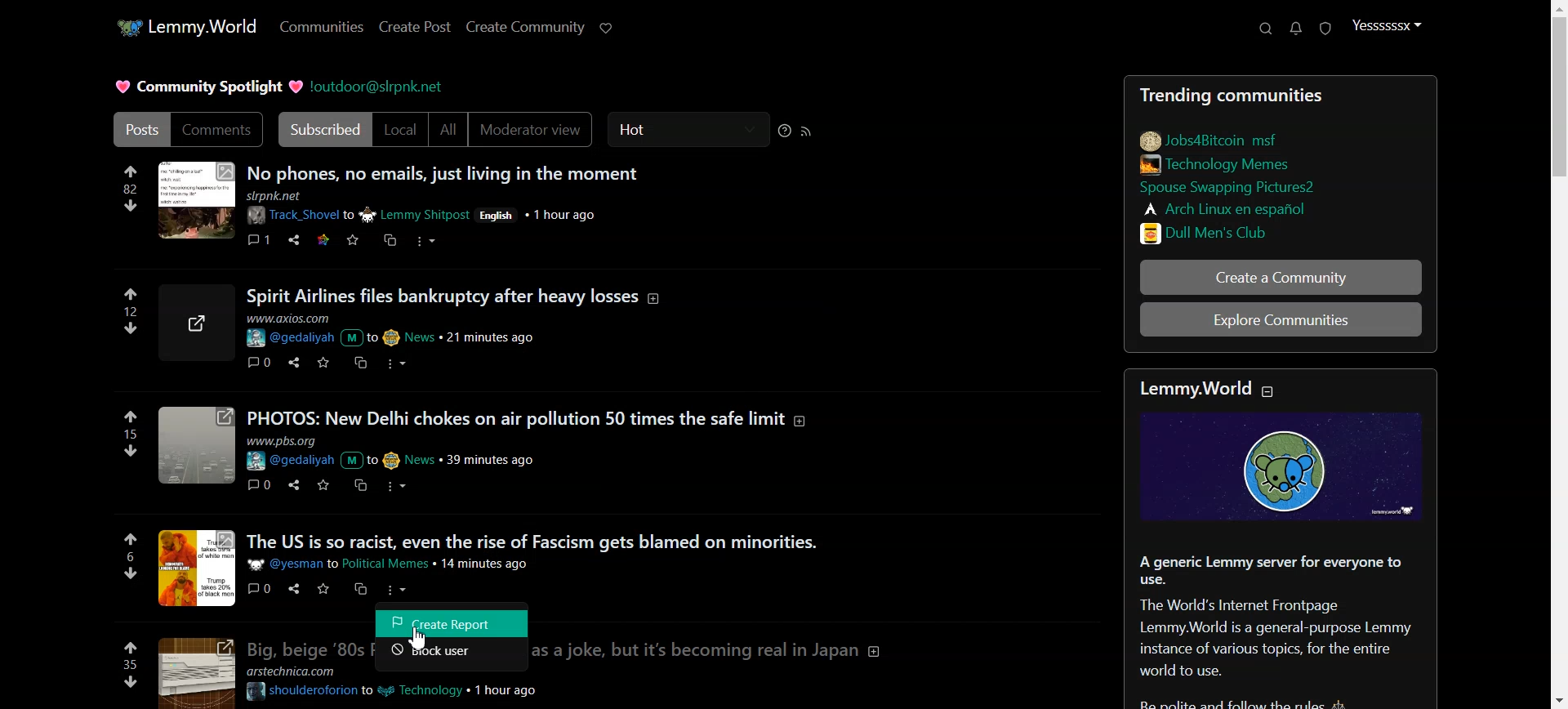  Describe the element at coordinates (260, 484) in the screenshot. I see `comments` at that location.